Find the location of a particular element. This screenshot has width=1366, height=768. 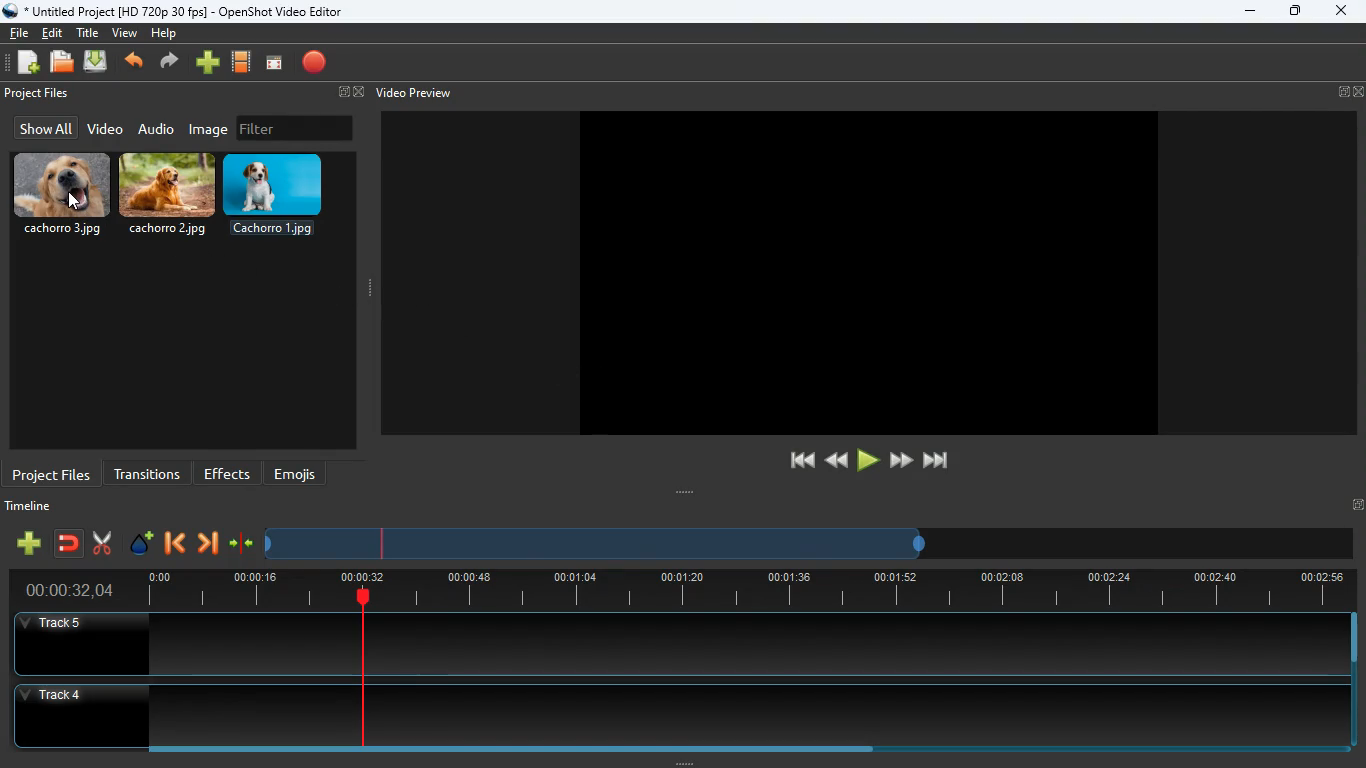

back is located at coordinates (173, 545).